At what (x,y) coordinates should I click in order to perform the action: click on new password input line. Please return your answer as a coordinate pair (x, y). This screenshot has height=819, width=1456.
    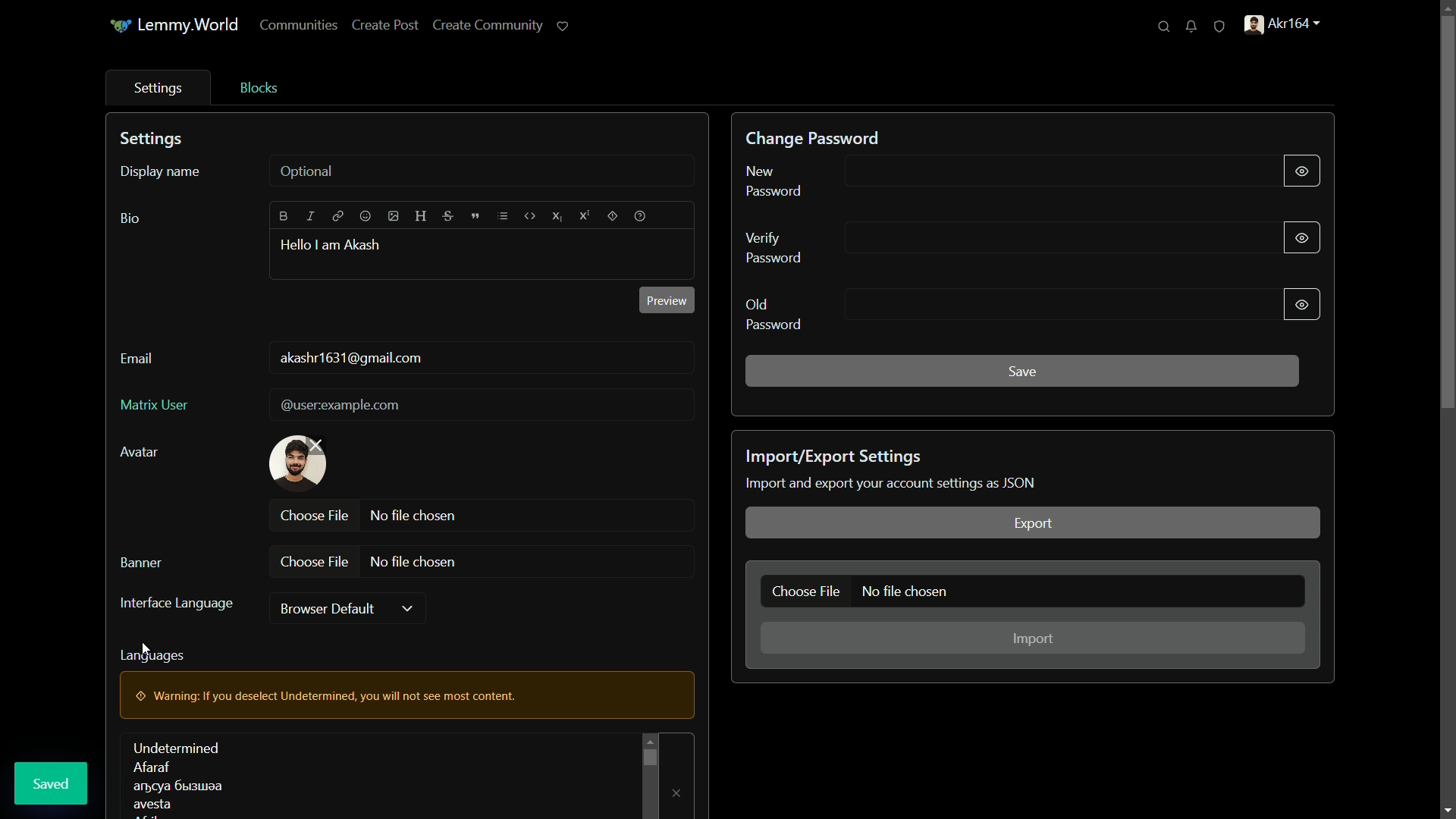
    Looking at the image, I should click on (1056, 173).